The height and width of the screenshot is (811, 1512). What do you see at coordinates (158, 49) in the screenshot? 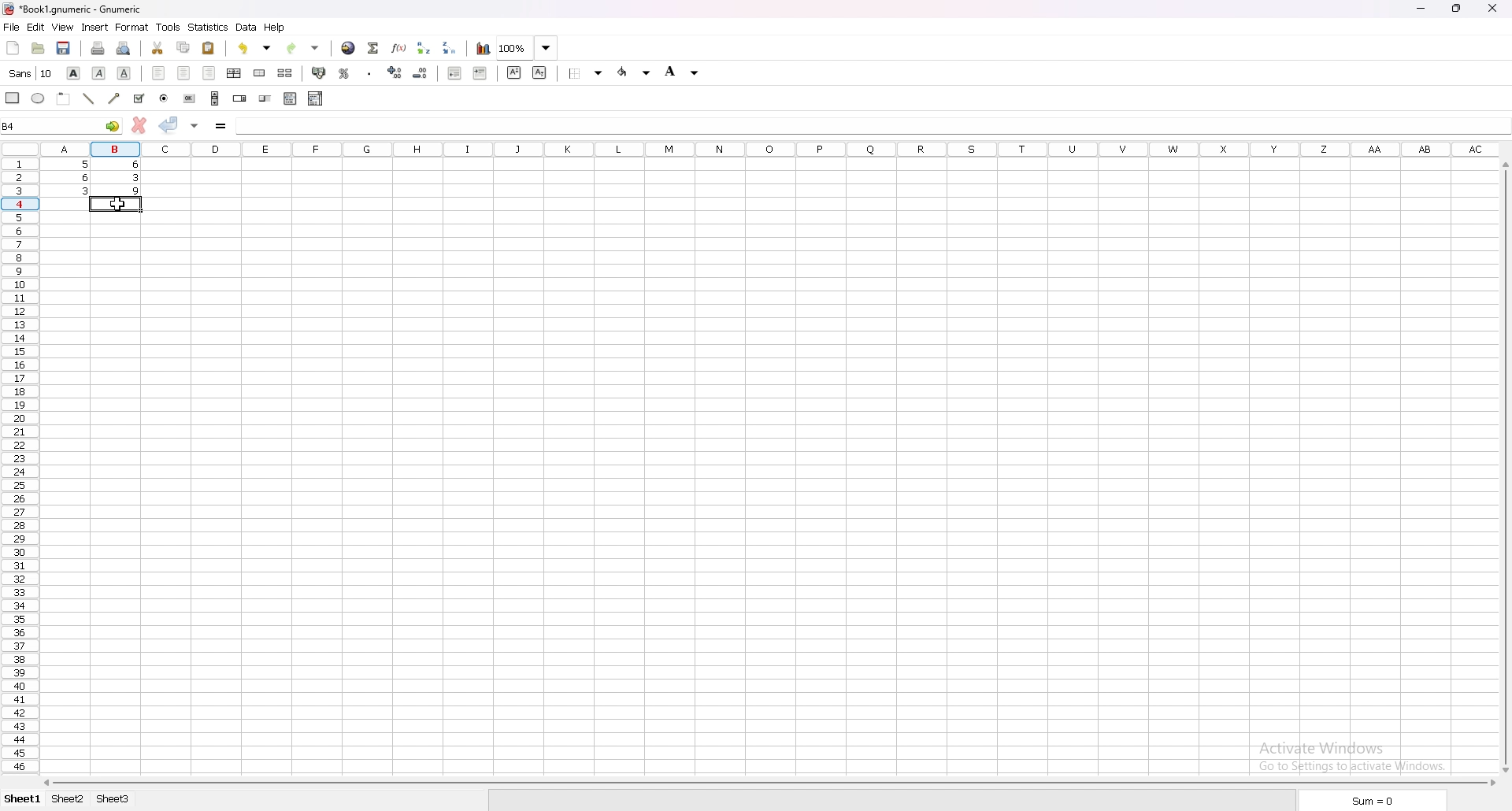
I see `cut` at bounding box center [158, 49].